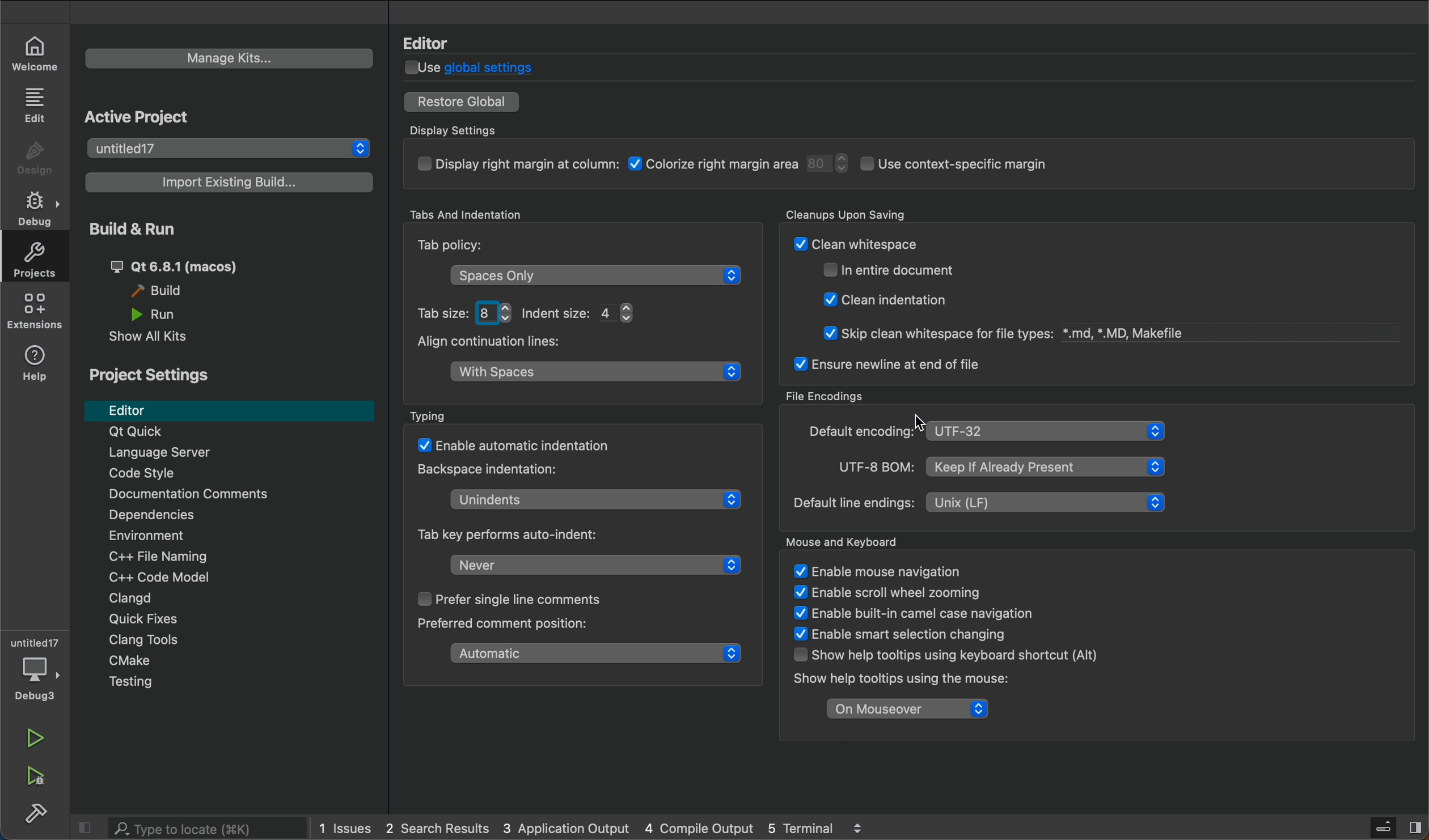  What do you see at coordinates (885, 593) in the screenshot?
I see `V £naple scroll wneel zooming
¥ Enable built-in camel case navigation` at bounding box center [885, 593].